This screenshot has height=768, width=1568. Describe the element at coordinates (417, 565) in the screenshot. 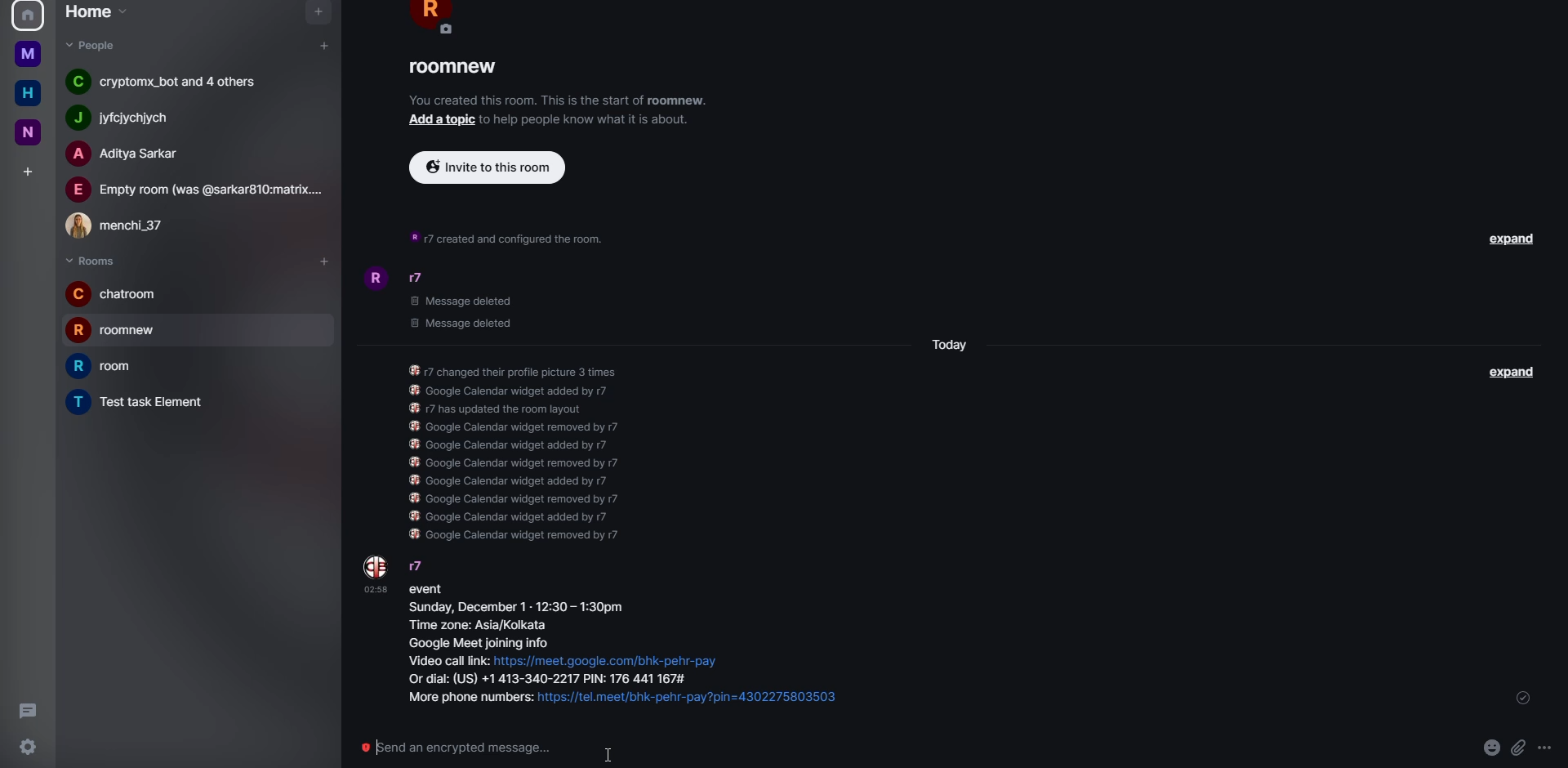

I see `r7` at that location.